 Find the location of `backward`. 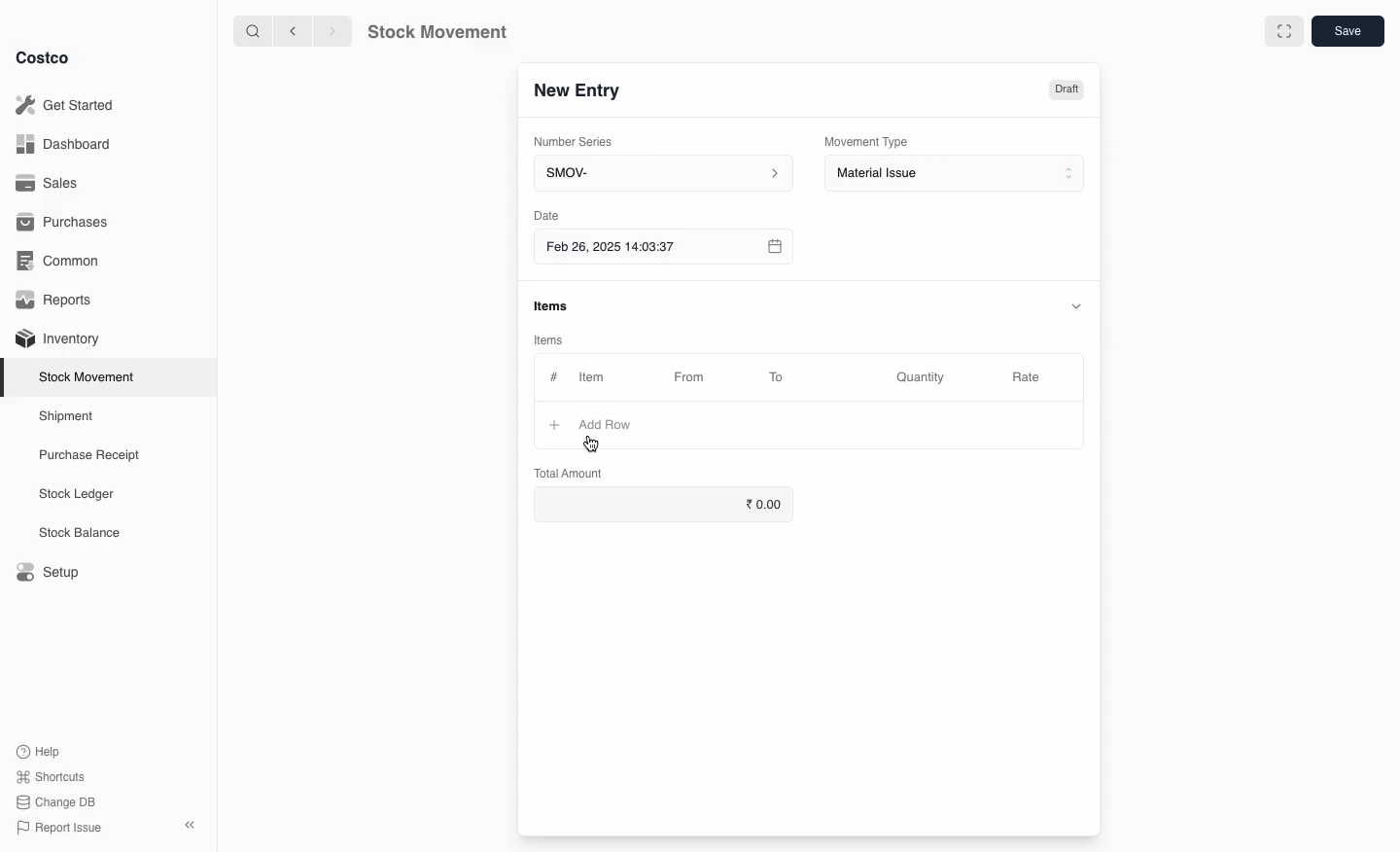

backward is located at coordinates (296, 32).